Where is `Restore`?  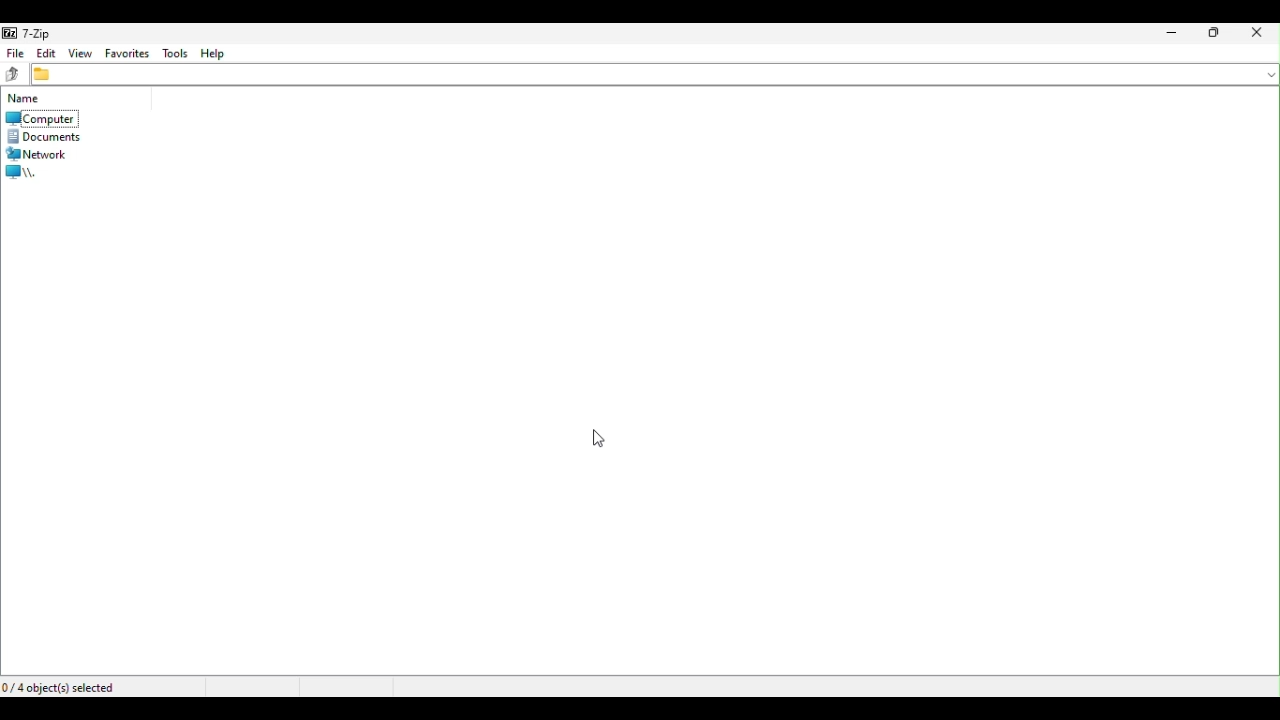 Restore is located at coordinates (1211, 37).